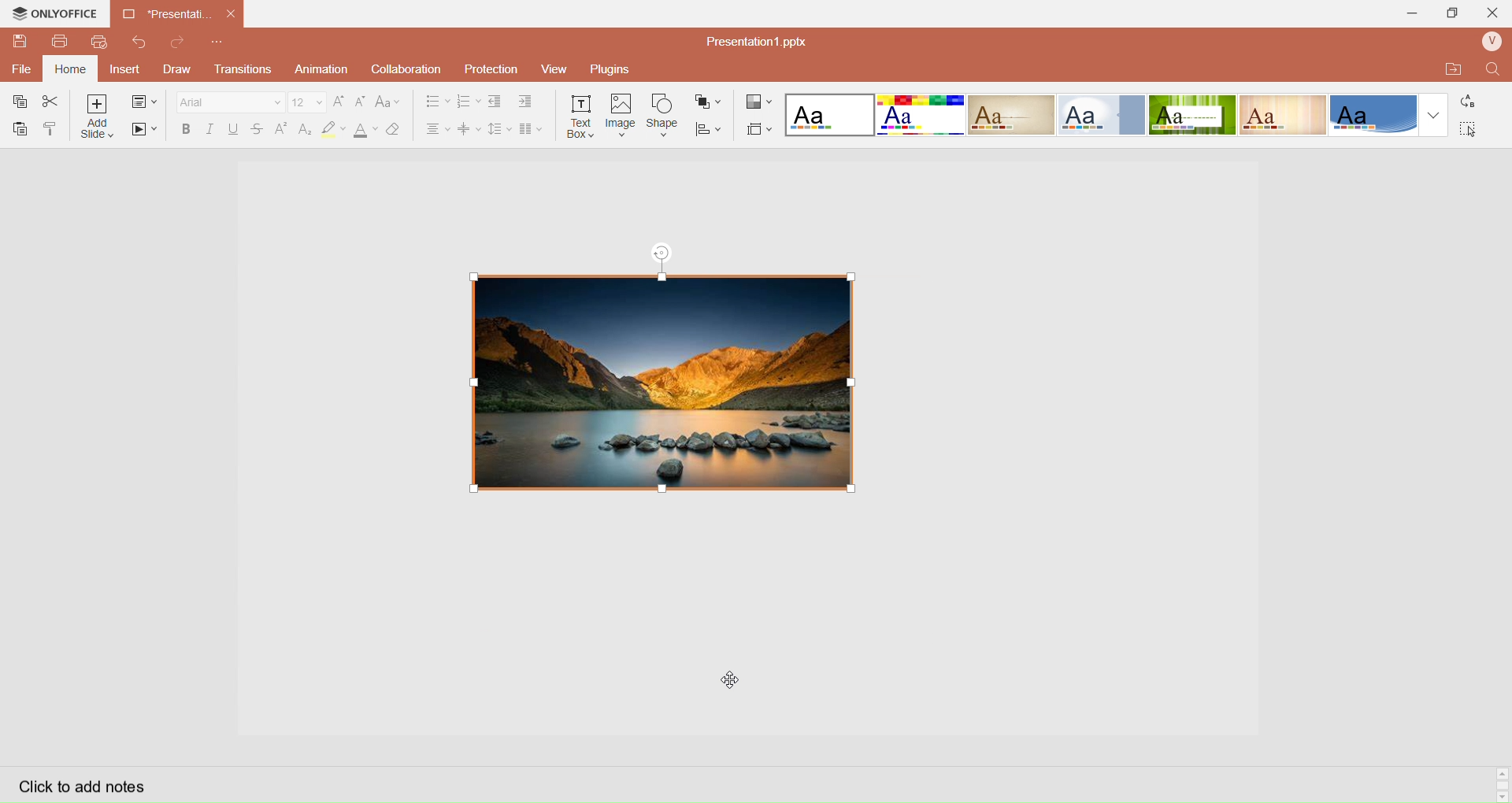  Describe the element at coordinates (663, 116) in the screenshot. I see `Insert Shape` at that location.